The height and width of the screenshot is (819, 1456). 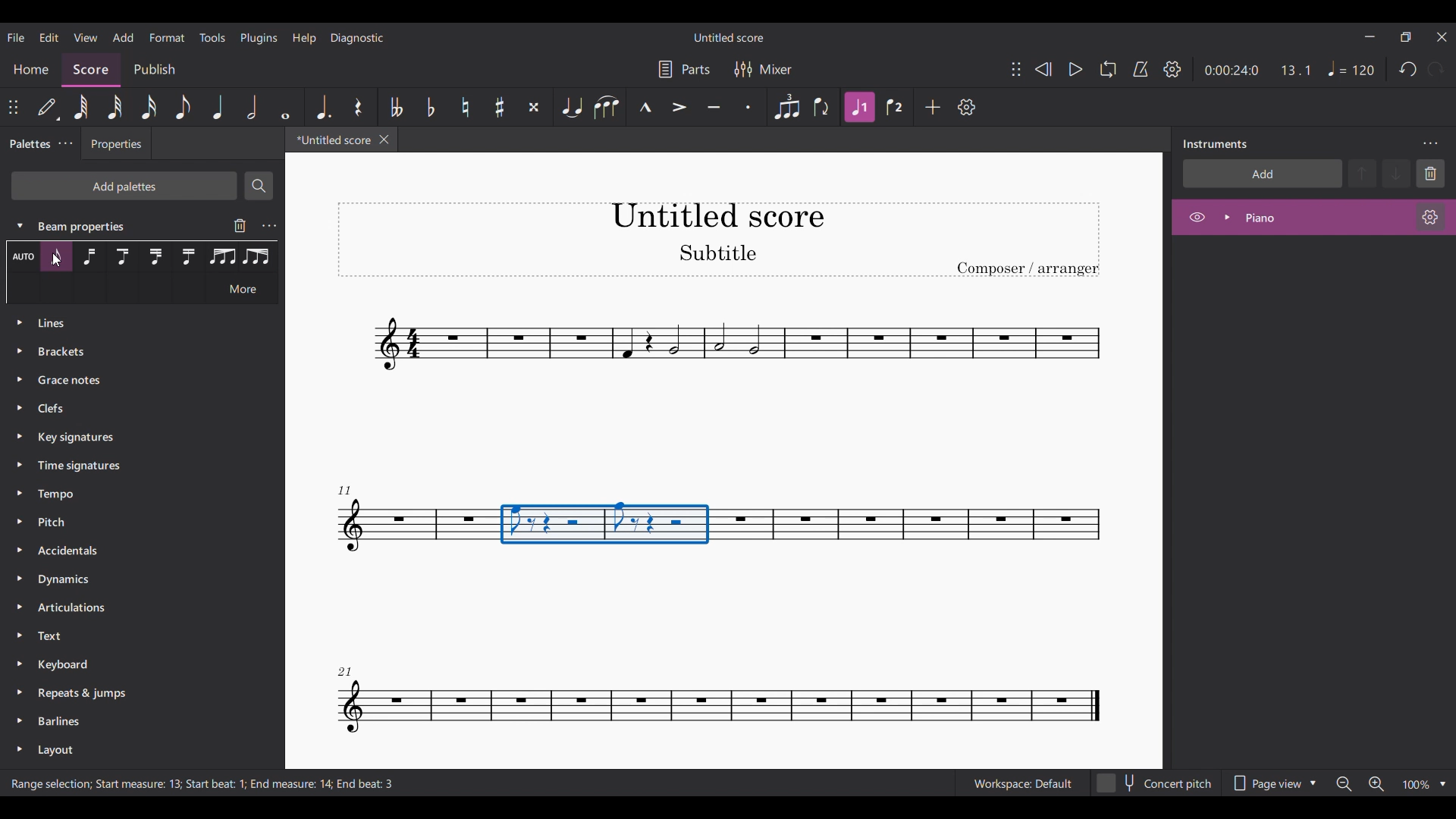 I want to click on Flip direction, so click(x=822, y=108).